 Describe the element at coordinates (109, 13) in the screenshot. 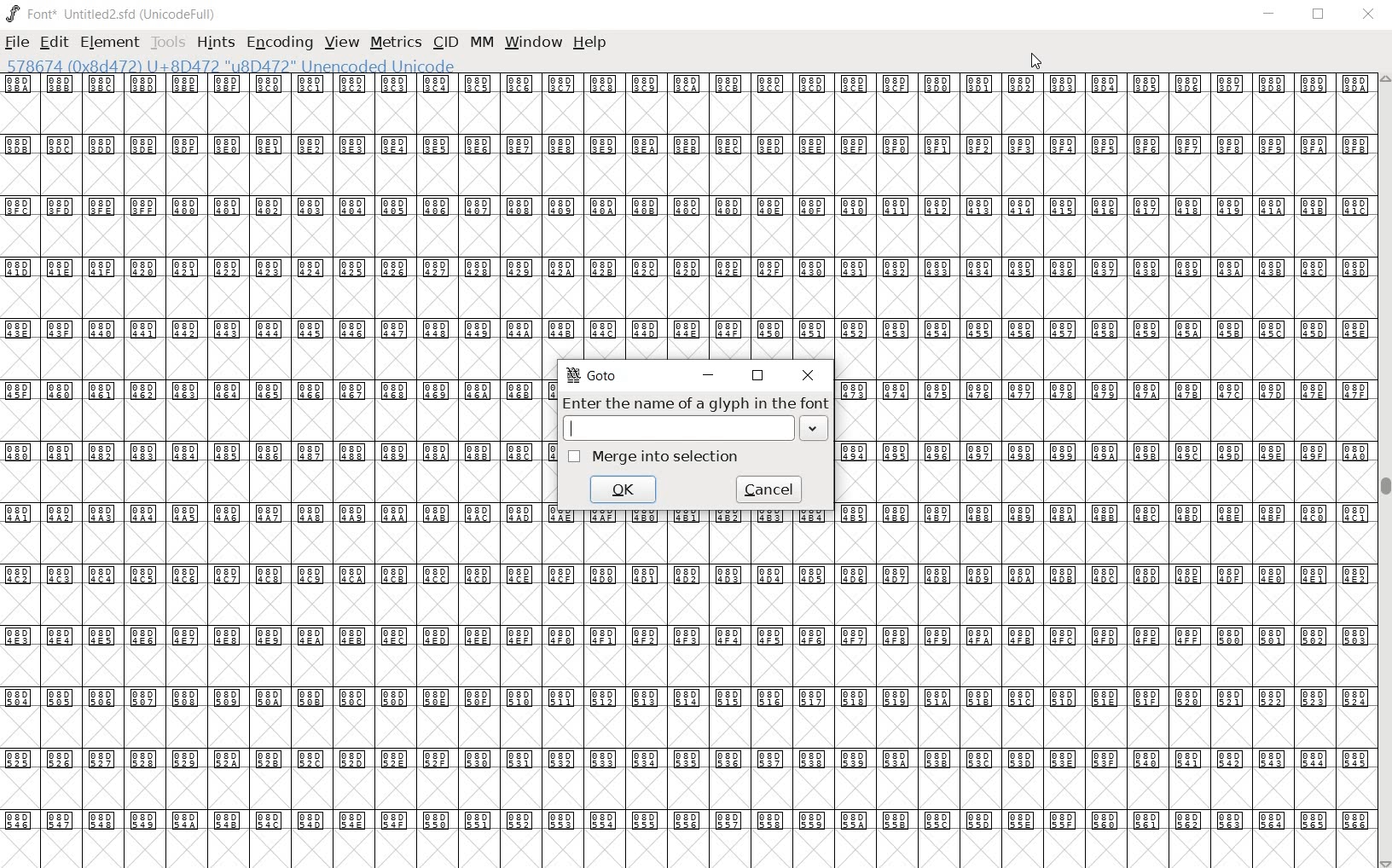

I see `font* Untitled2.sfd (UnicodeFull)` at that location.